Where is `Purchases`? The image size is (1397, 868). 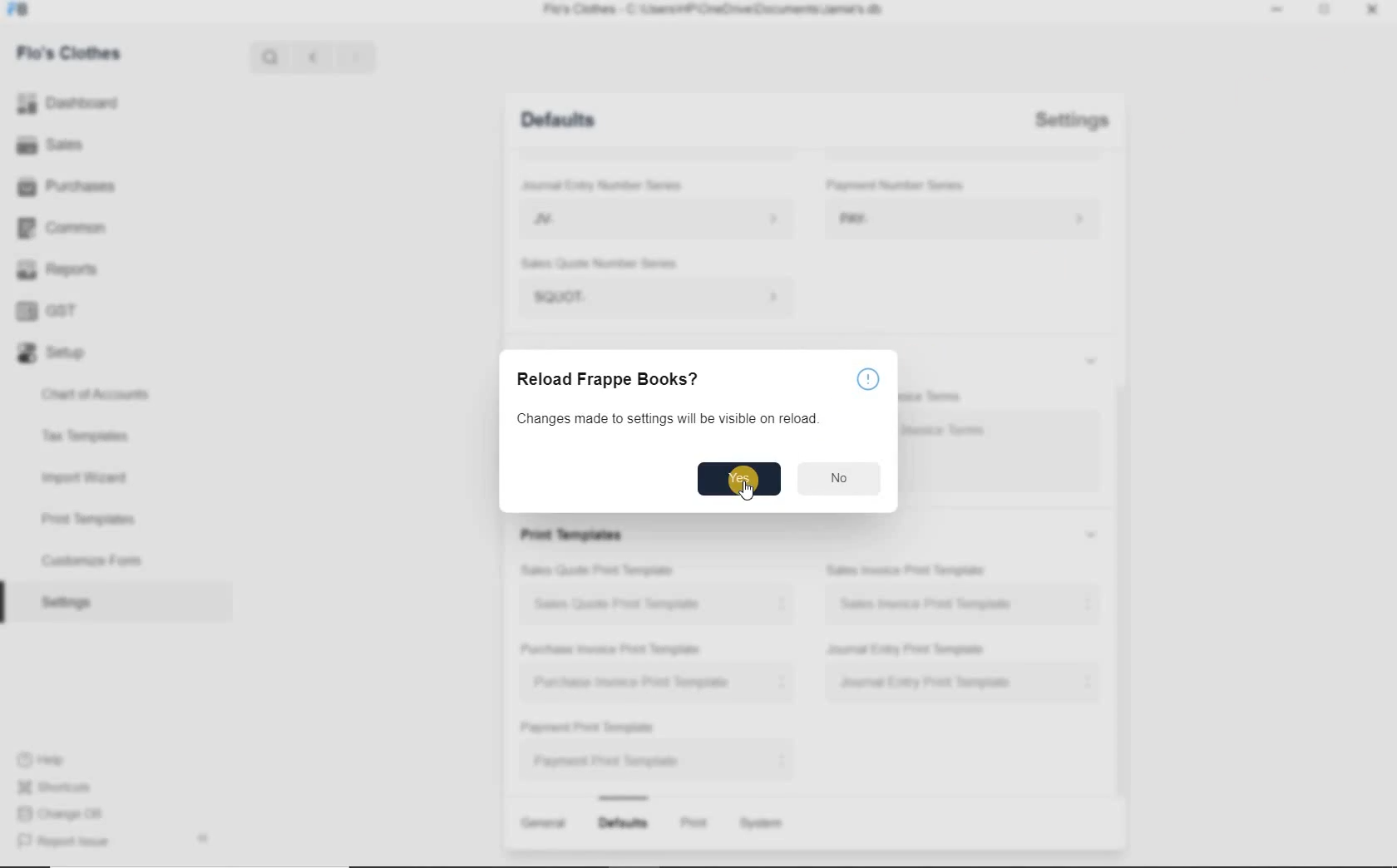
Purchases is located at coordinates (70, 186).